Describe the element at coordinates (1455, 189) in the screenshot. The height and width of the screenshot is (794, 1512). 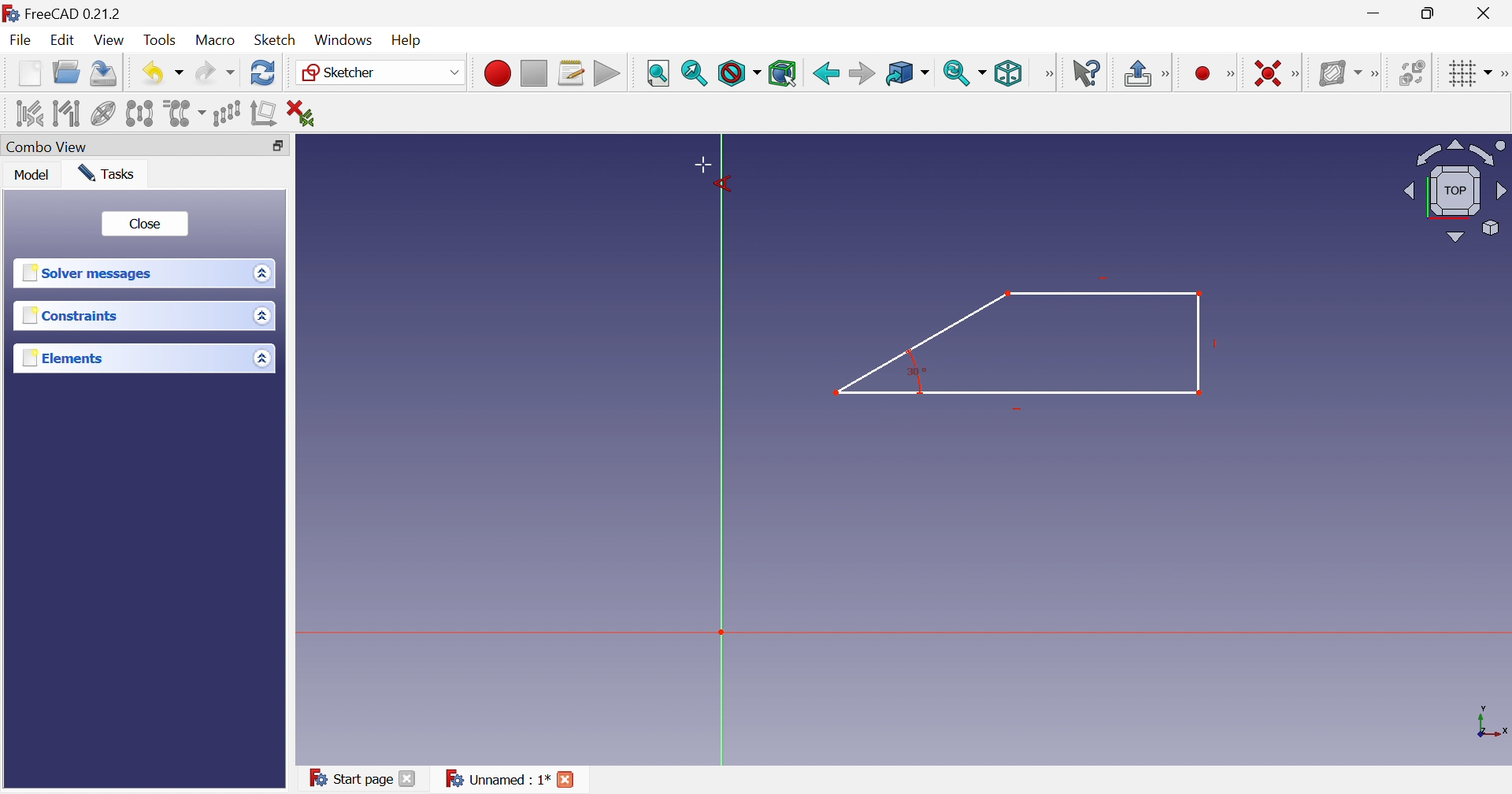
I see `Viewing angle` at that location.